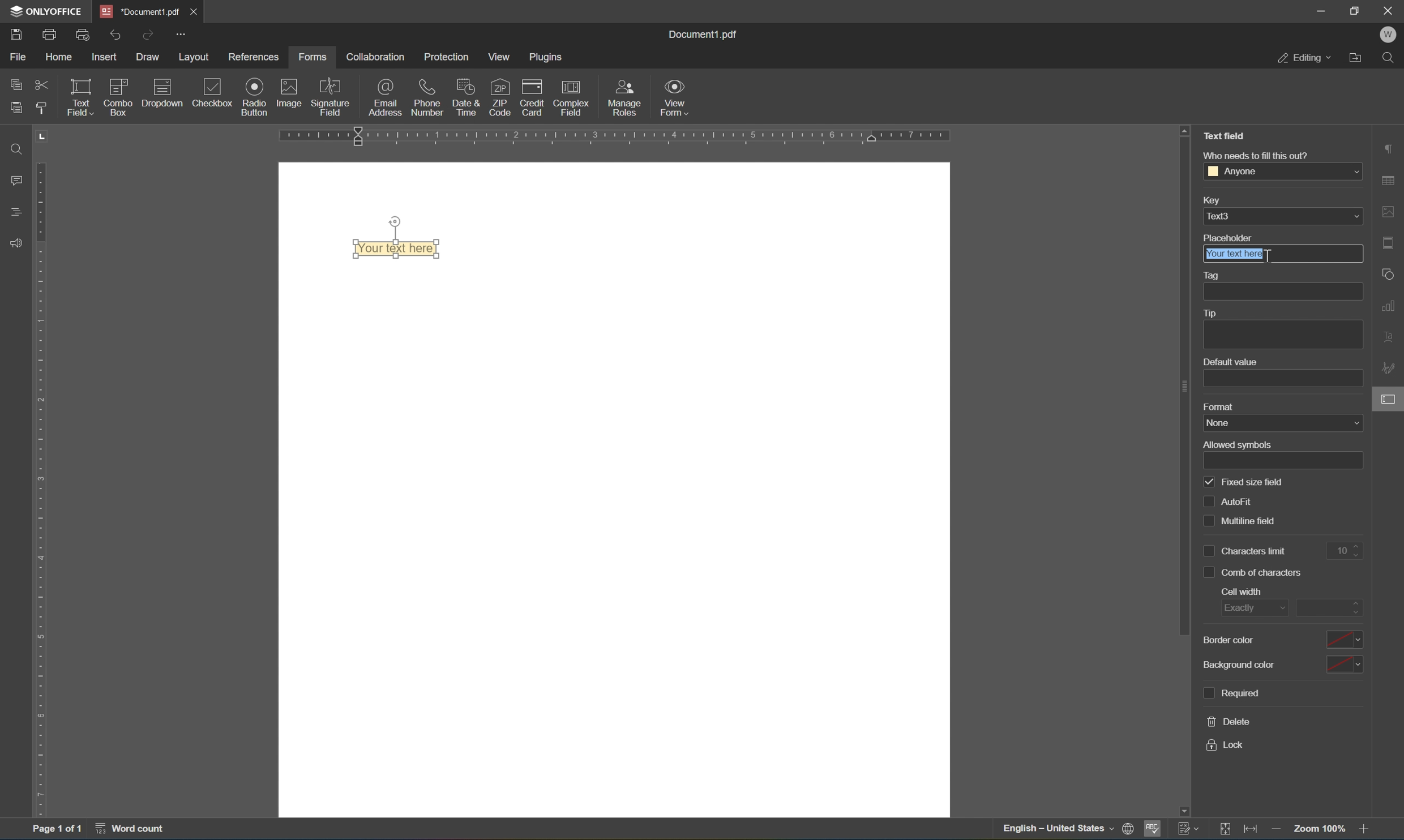  I want to click on view, so click(501, 57).